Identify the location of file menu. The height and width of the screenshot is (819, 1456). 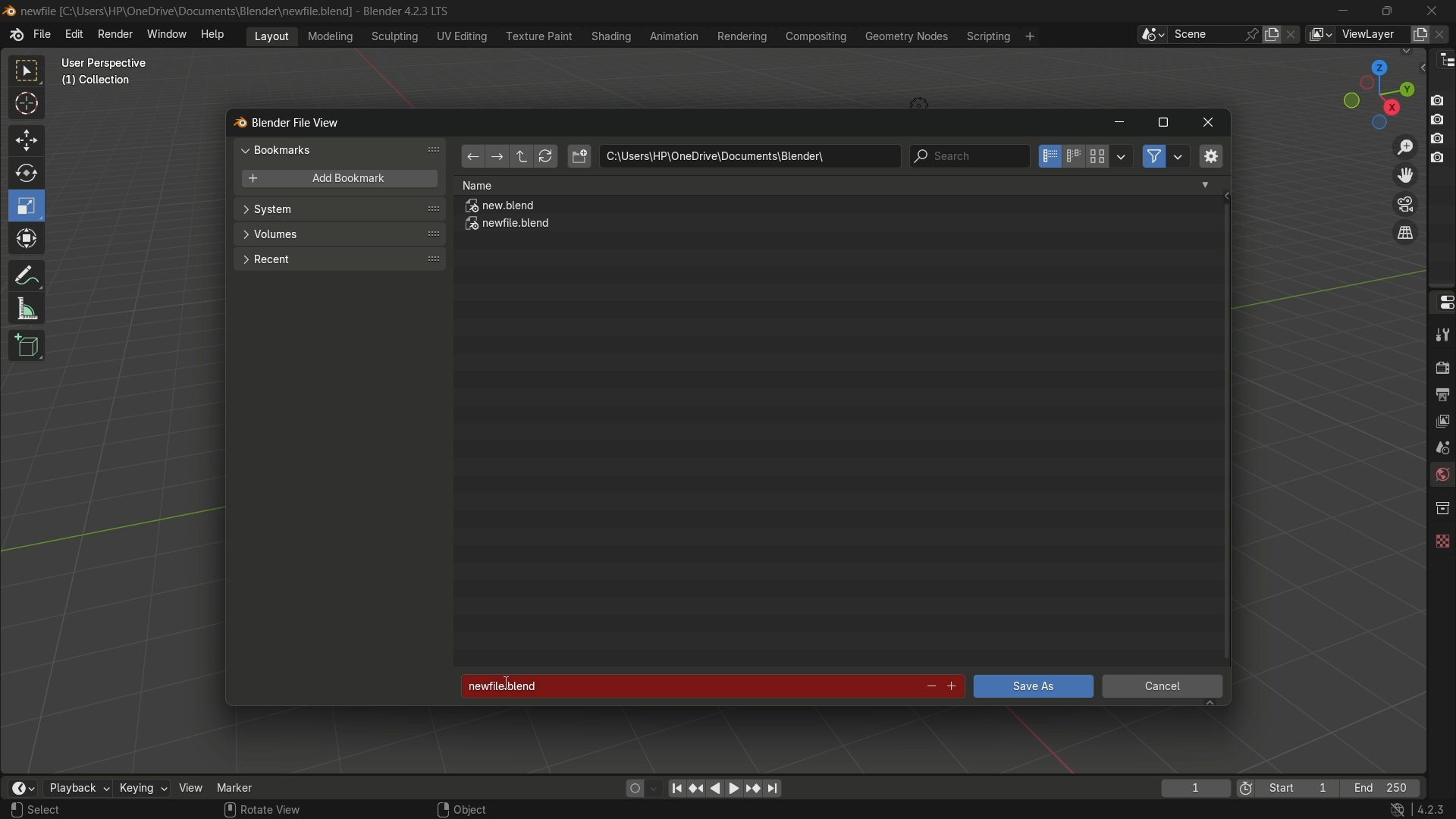
(42, 35).